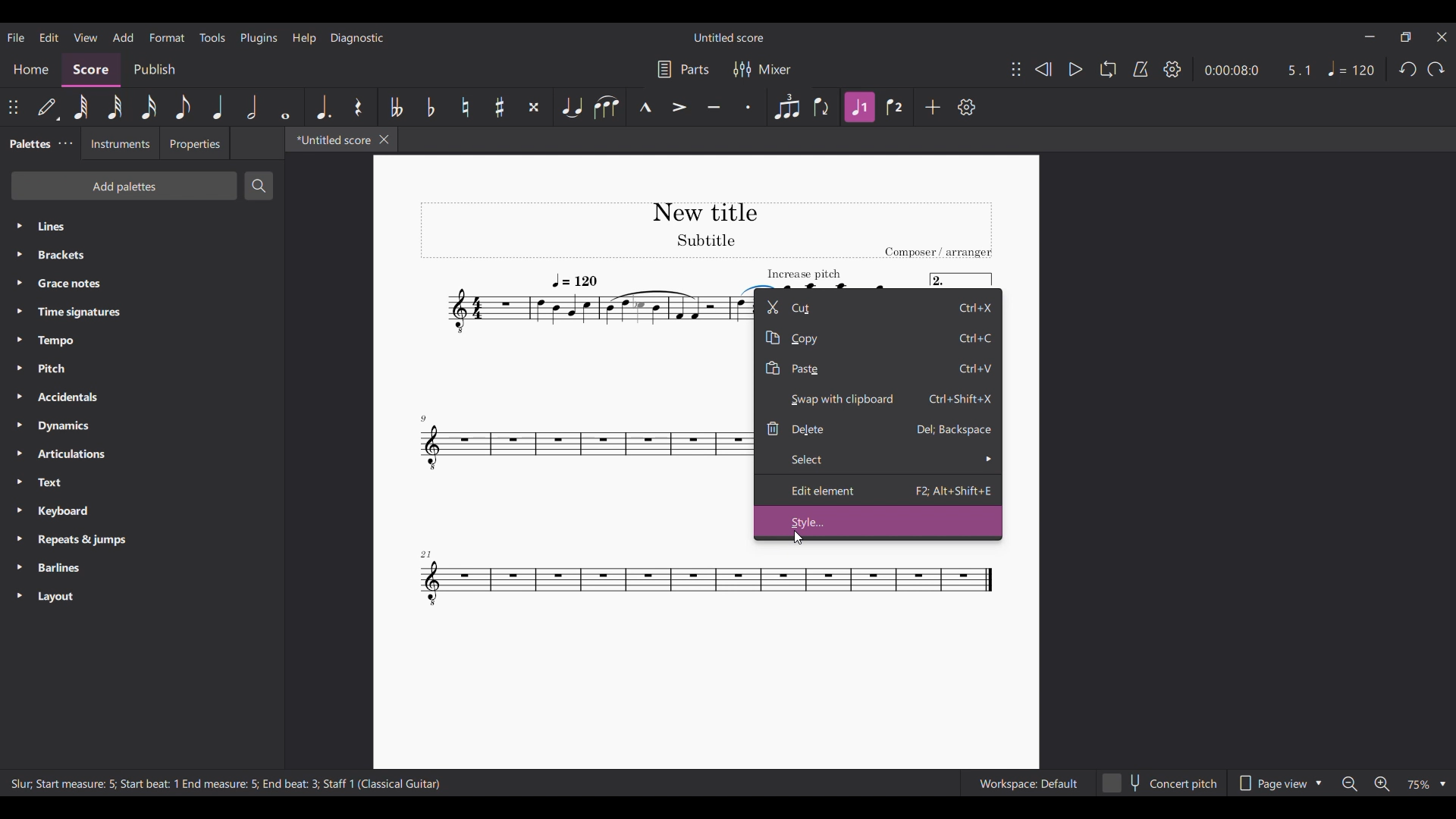  What do you see at coordinates (149, 107) in the screenshot?
I see `16th note` at bounding box center [149, 107].